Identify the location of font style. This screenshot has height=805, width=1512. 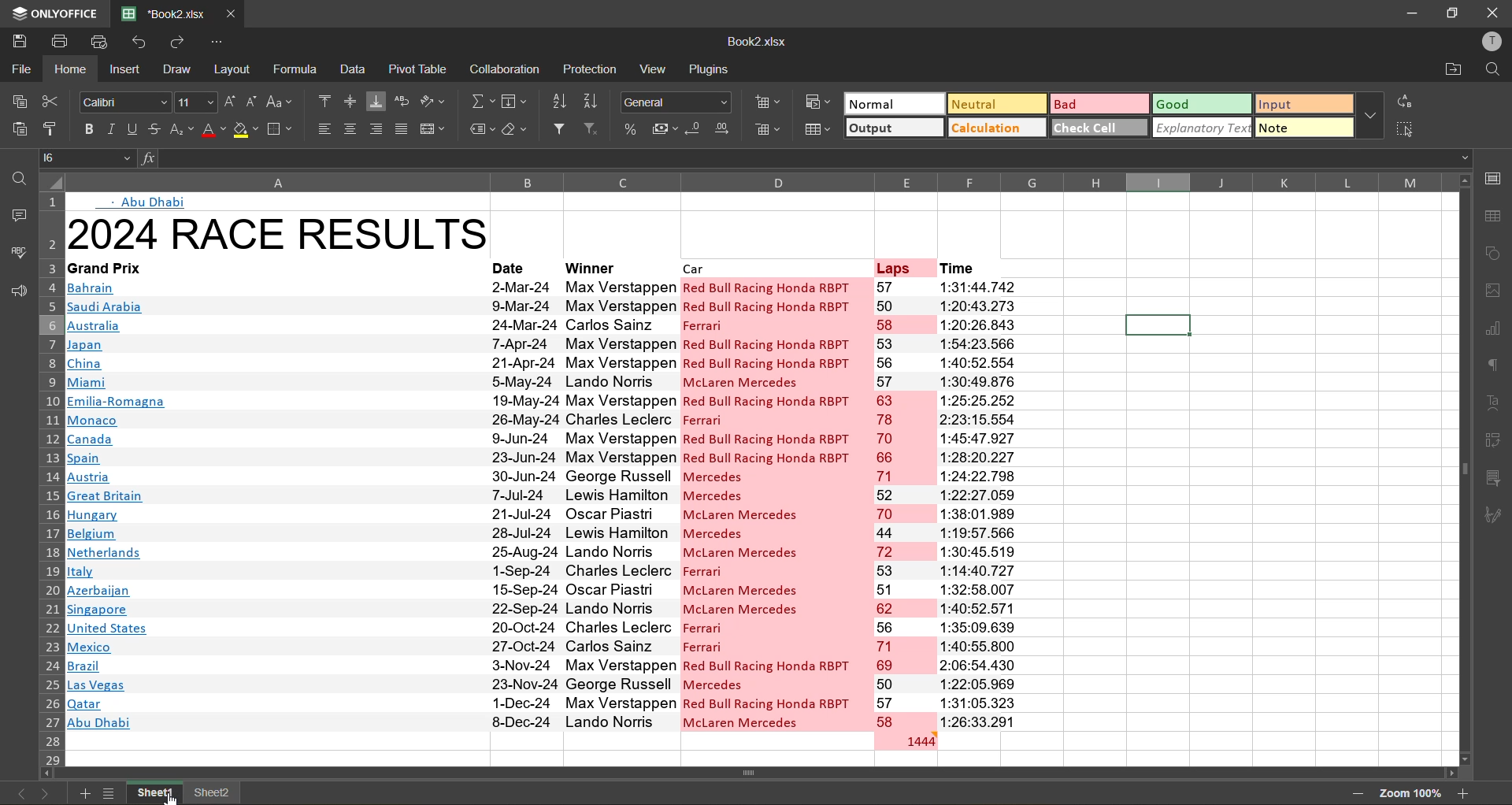
(123, 100).